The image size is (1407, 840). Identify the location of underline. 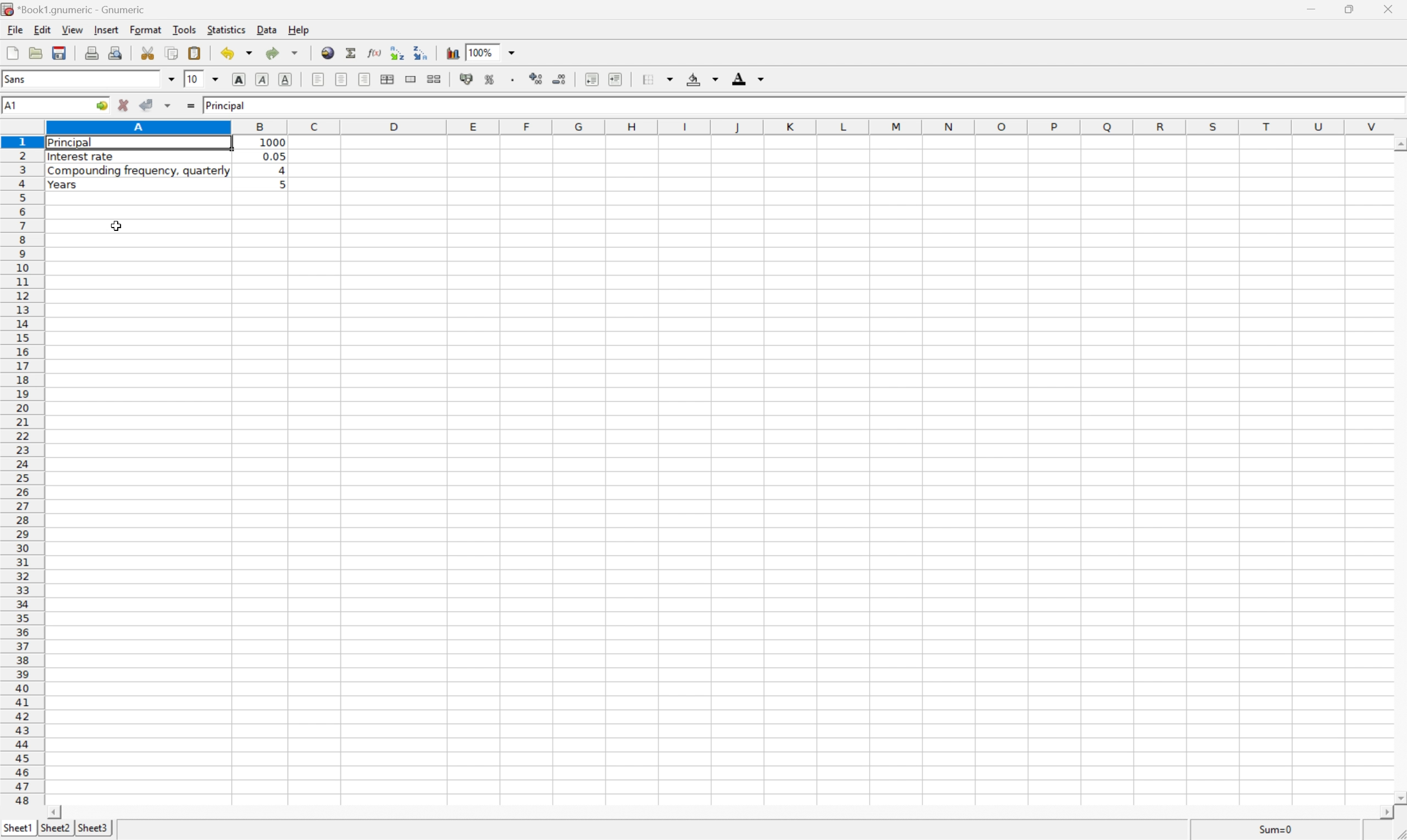
(286, 79).